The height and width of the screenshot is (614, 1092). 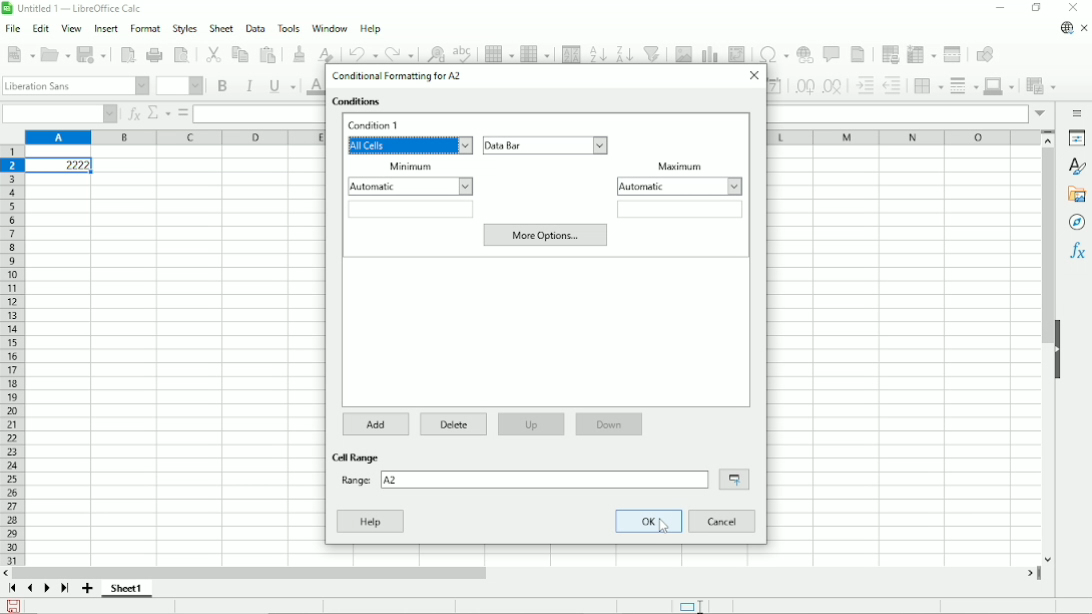 What do you see at coordinates (1065, 29) in the screenshot?
I see `Update available` at bounding box center [1065, 29].